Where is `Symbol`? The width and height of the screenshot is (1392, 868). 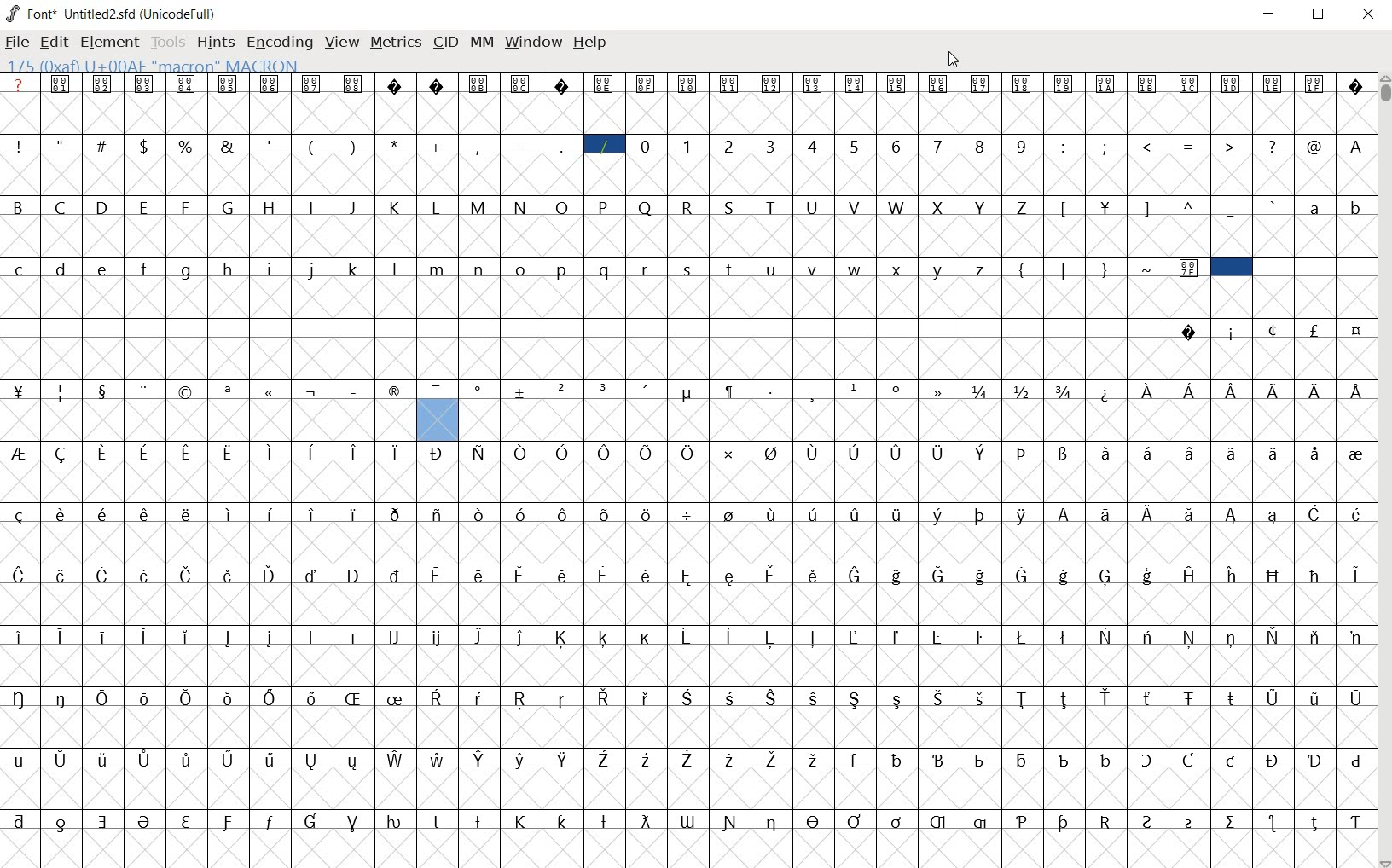 Symbol is located at coordinates (1146, 637).